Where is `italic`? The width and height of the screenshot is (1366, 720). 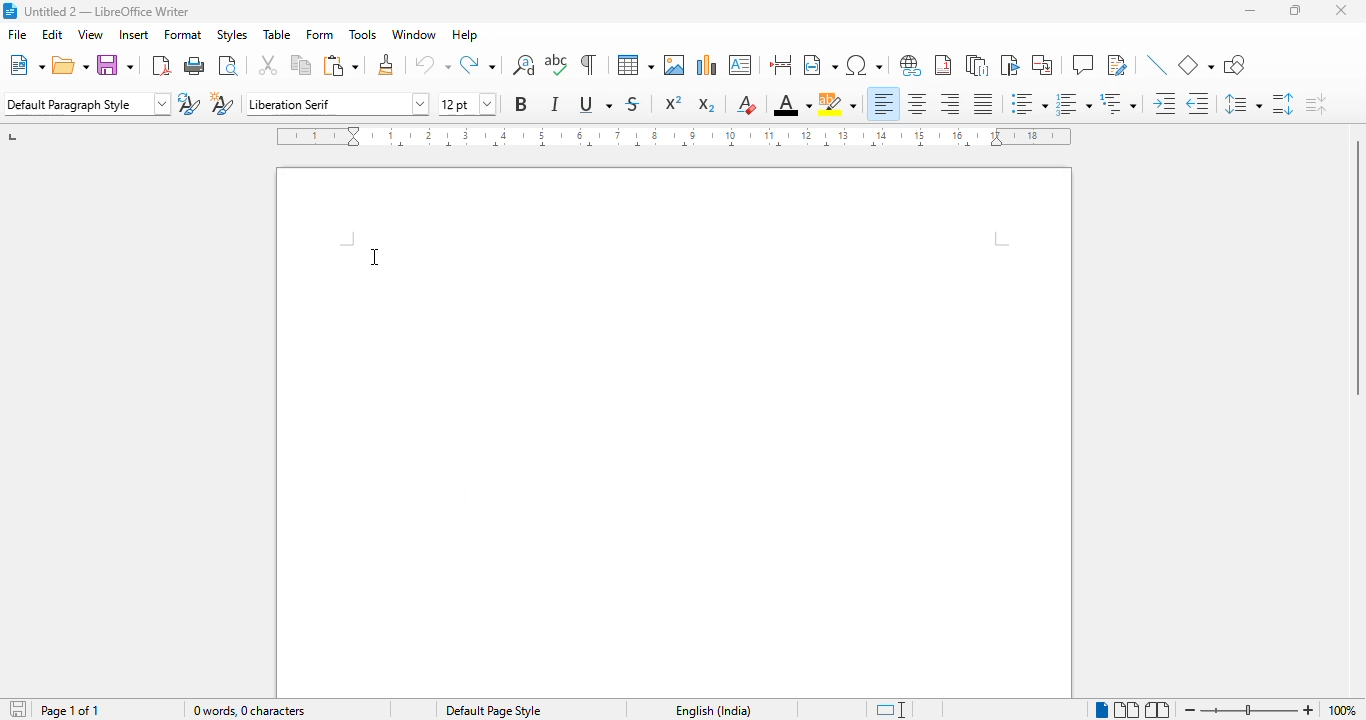
italic is located at coordinates (553, 104).